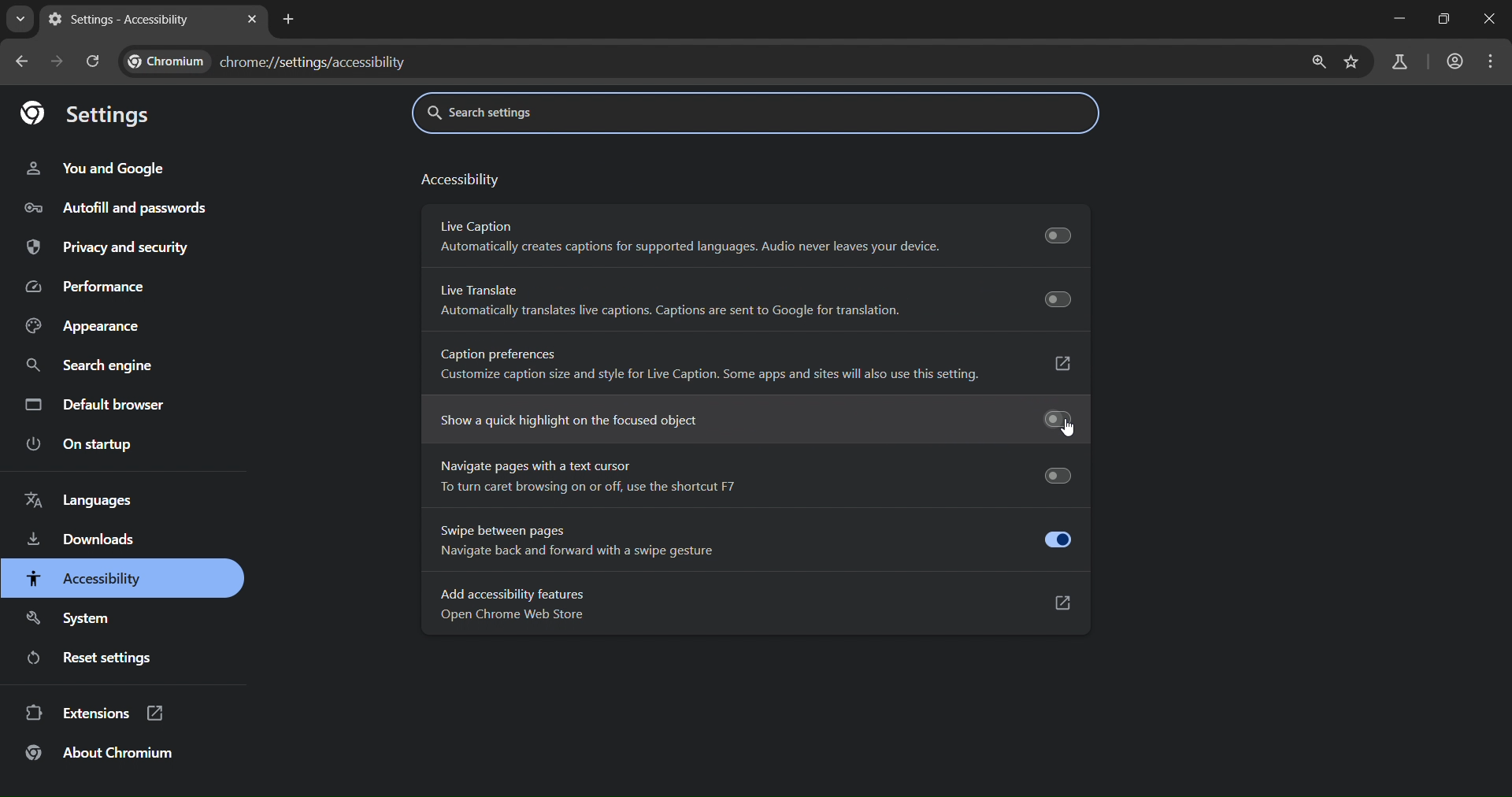 This screenshot has width=1512, height=797. What do you see at coordinates (1058, 476) in the screenshot?
I see `Toggle` at bounding box center [1058, 476].